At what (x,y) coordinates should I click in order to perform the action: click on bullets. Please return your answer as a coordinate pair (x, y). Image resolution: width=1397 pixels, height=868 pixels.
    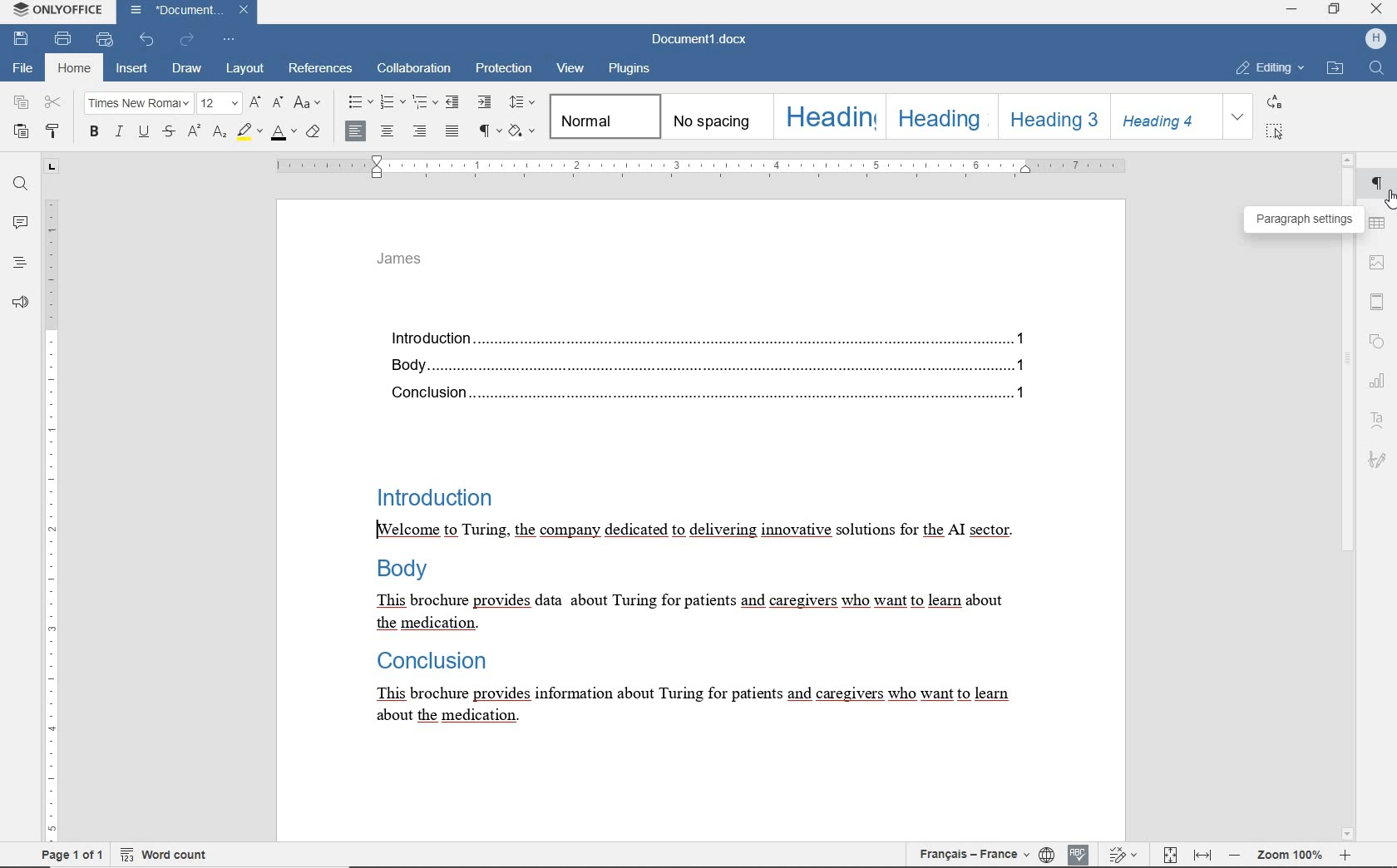
    Looking at the image, I should click on (360, 102).